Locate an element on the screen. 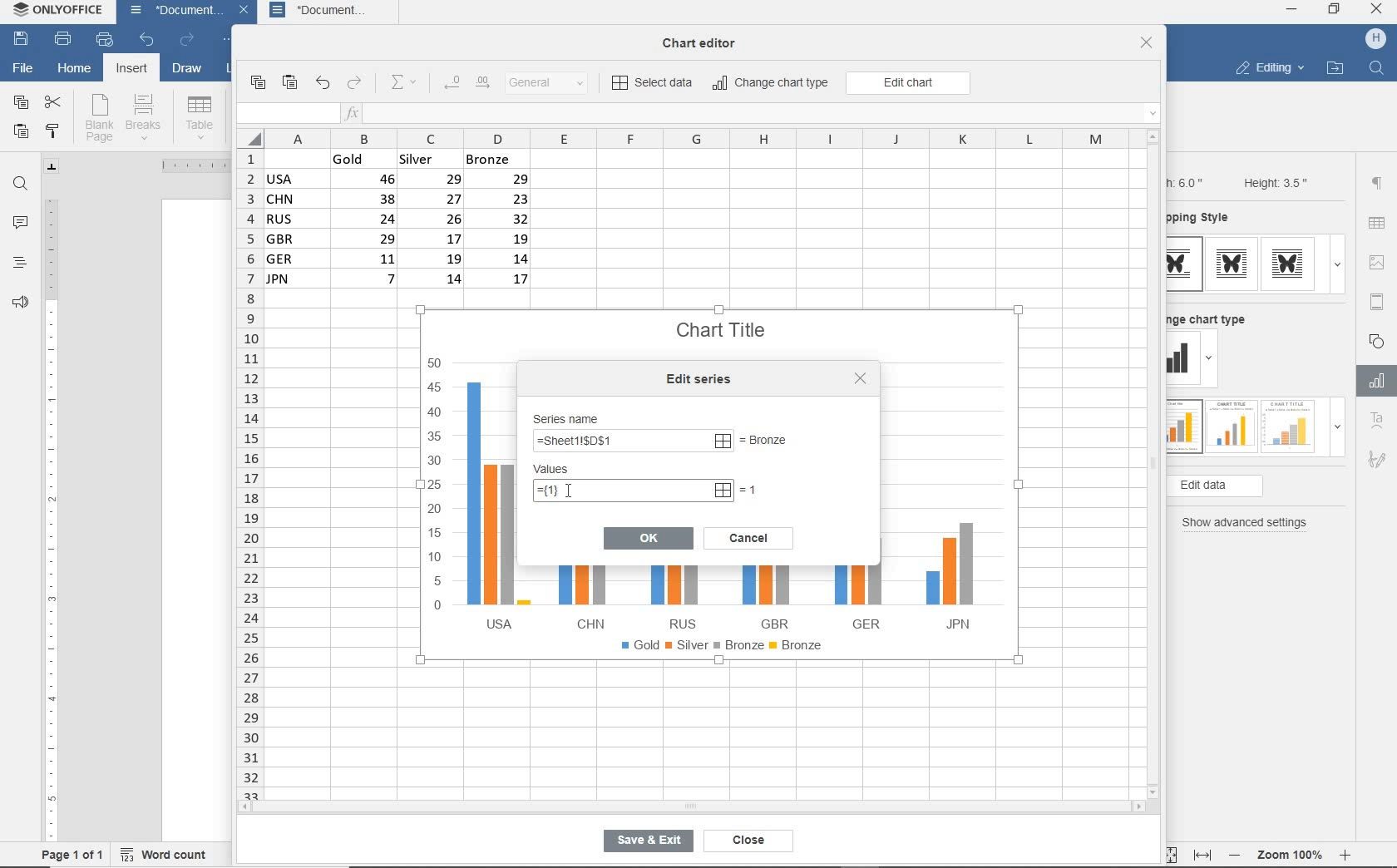  GER is located at coordinates (856, 593).